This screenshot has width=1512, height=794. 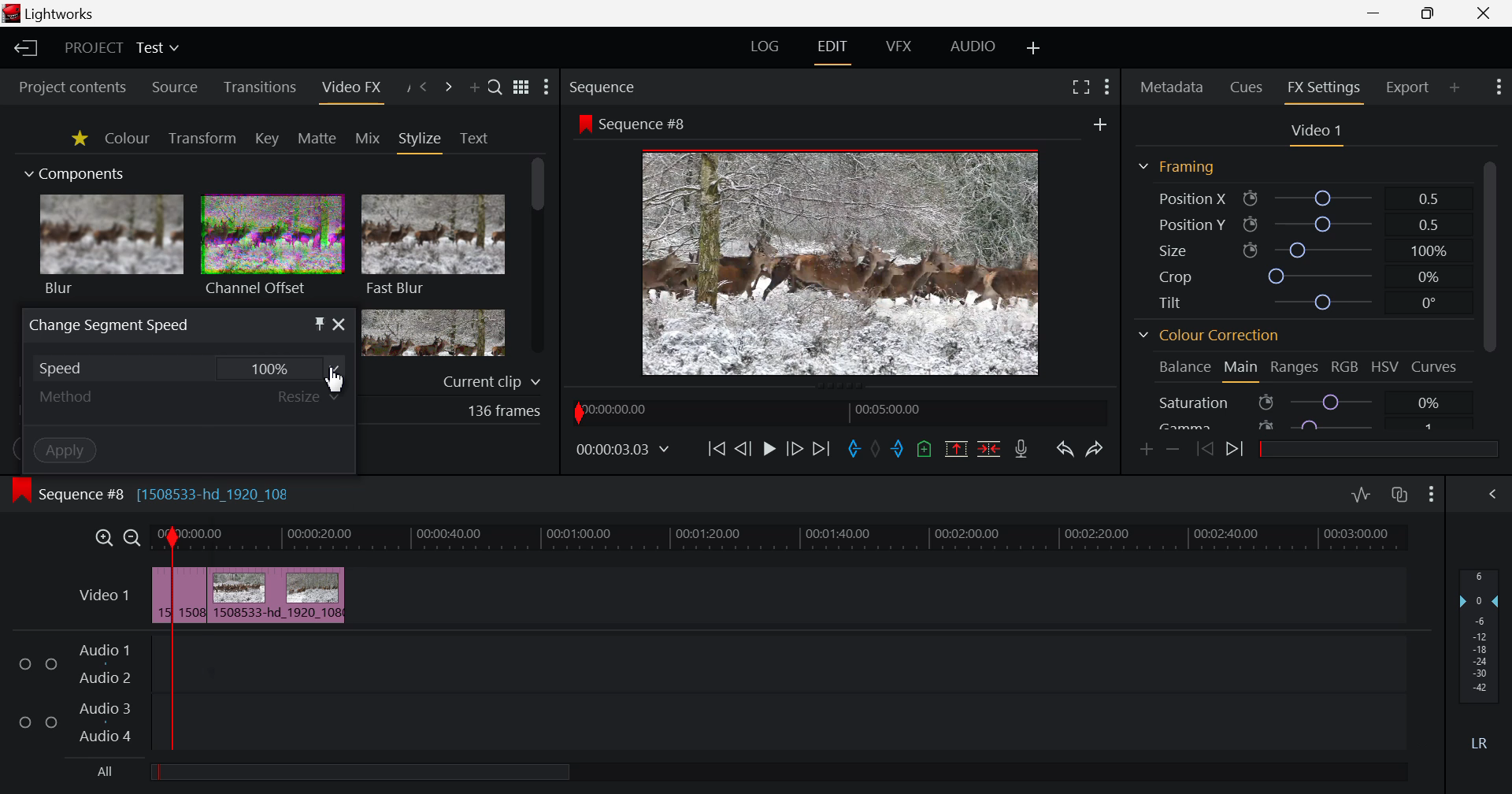 I want to click on Balance, so click(x=1183, y=369).